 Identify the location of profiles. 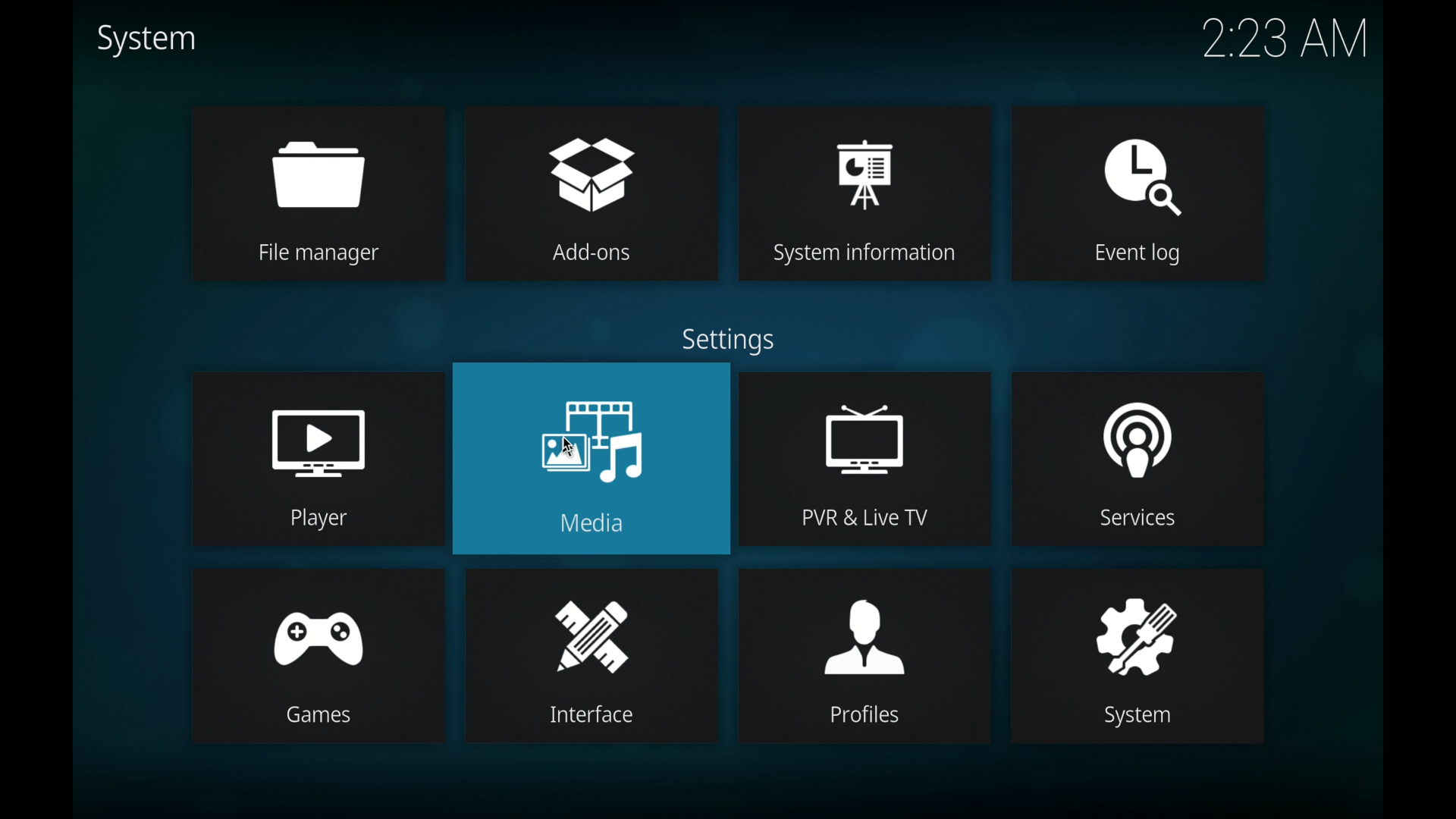
(864, 624).